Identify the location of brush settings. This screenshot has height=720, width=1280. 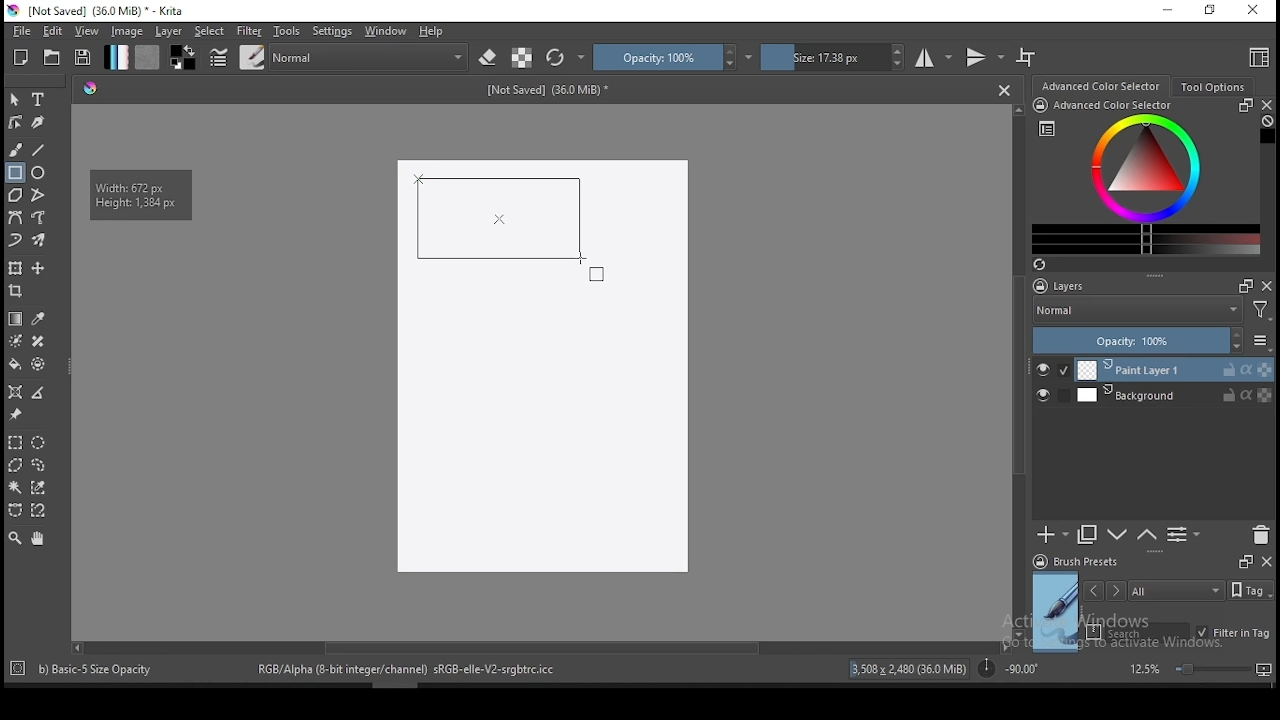
(217, 57).